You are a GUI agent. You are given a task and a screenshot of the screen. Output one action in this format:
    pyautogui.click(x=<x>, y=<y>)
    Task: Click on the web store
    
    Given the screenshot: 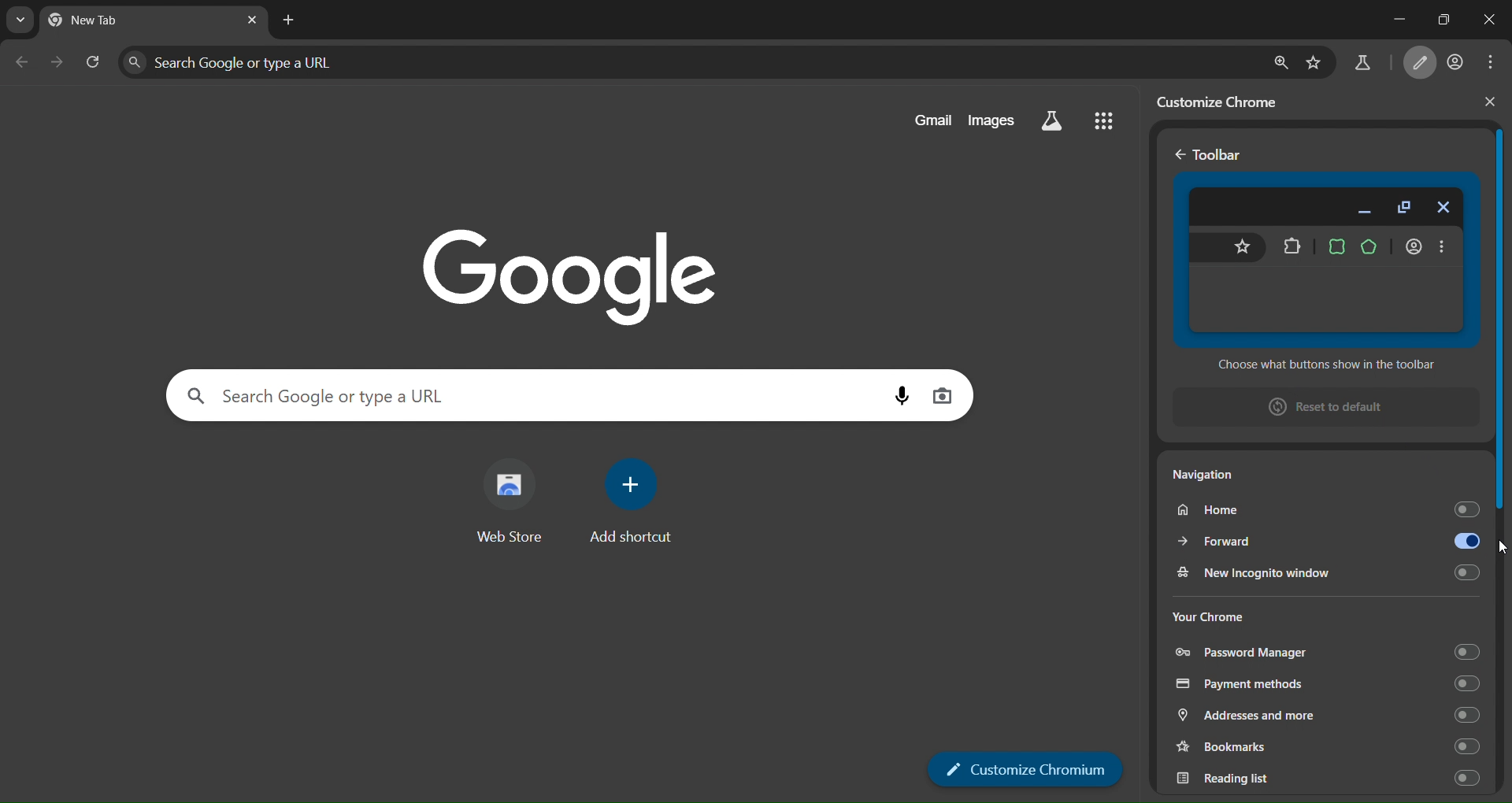 What is the action you would take?
    pyautogui.click(x=510, y=506)
    